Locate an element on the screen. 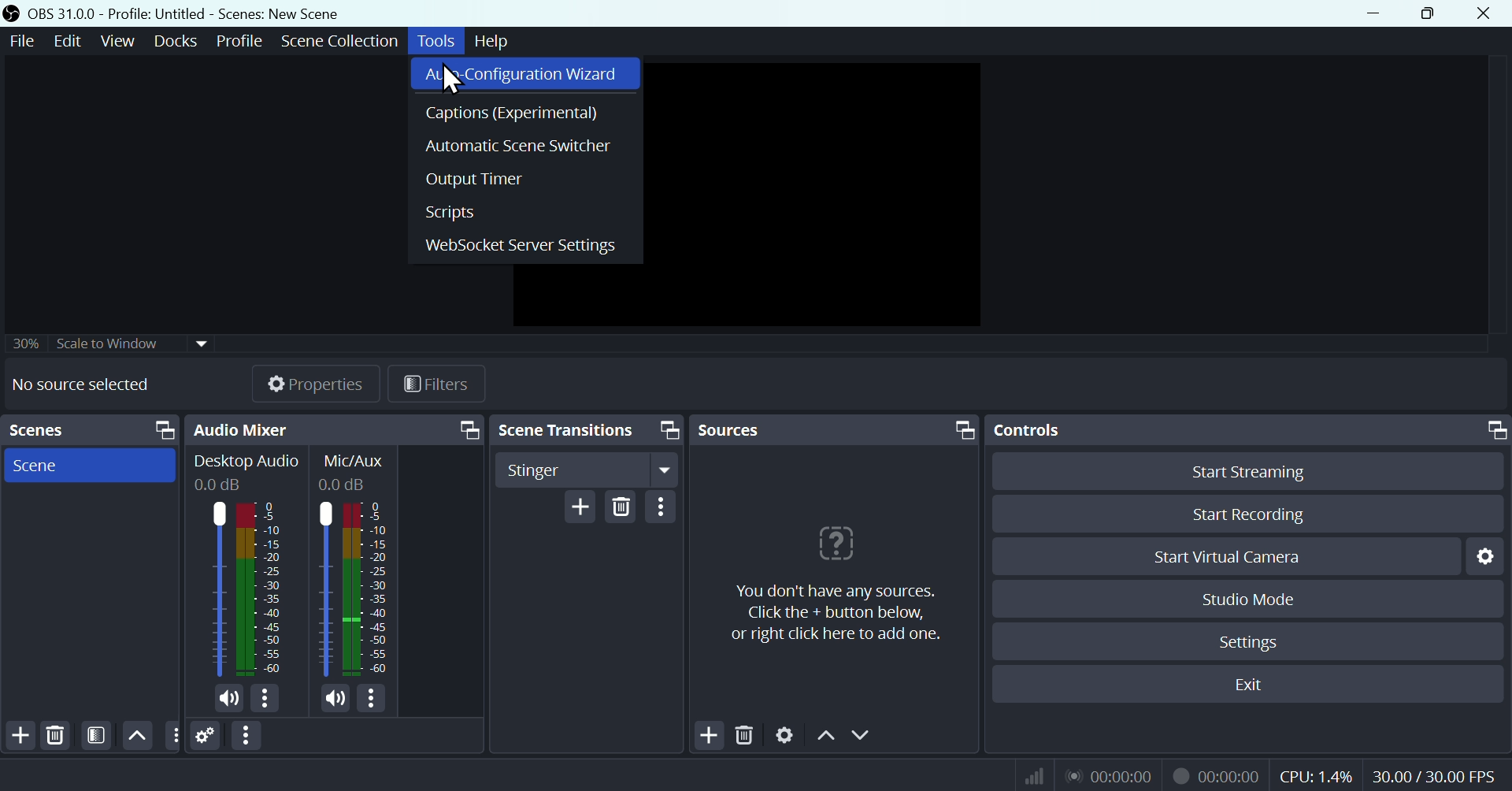 The image size is (1512, 791). you don't have any sources. is located at coordinates (836, 615).